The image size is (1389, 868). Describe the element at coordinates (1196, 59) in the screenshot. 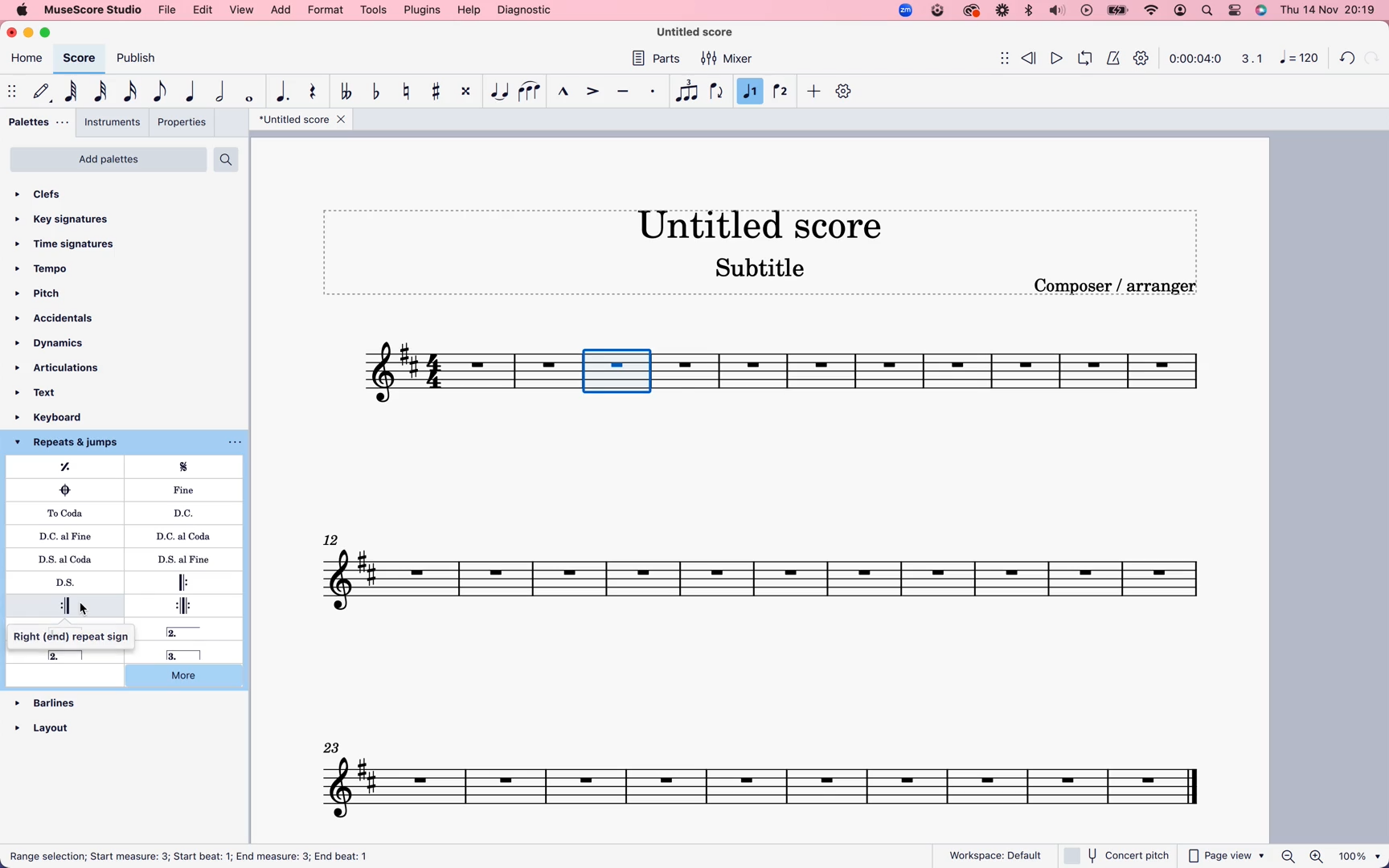

I see `time` at that location.